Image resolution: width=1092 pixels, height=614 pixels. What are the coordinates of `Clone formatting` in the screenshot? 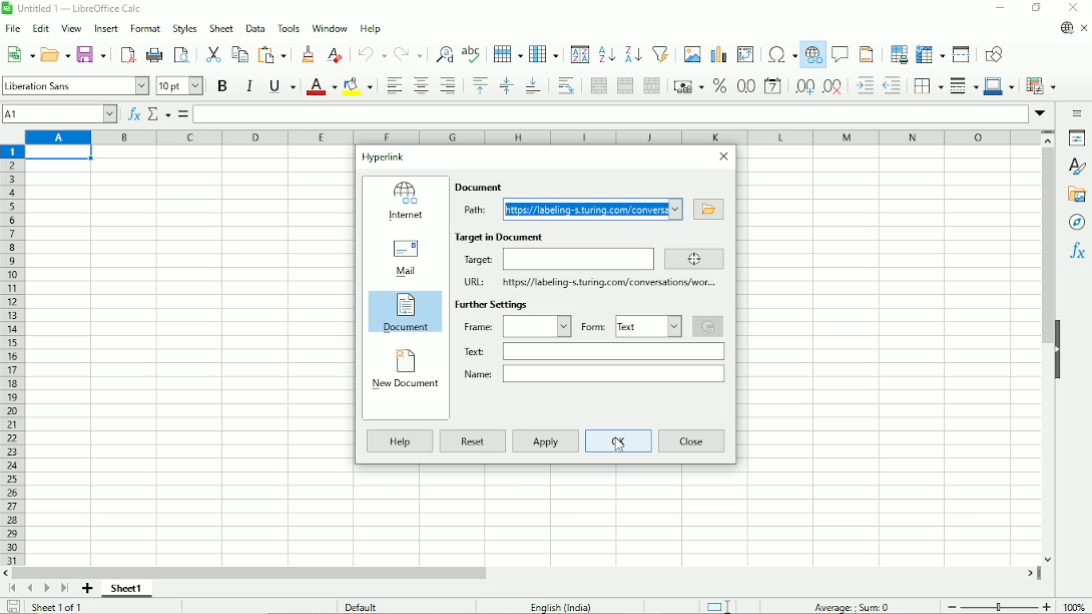 It's located at (308, 54).